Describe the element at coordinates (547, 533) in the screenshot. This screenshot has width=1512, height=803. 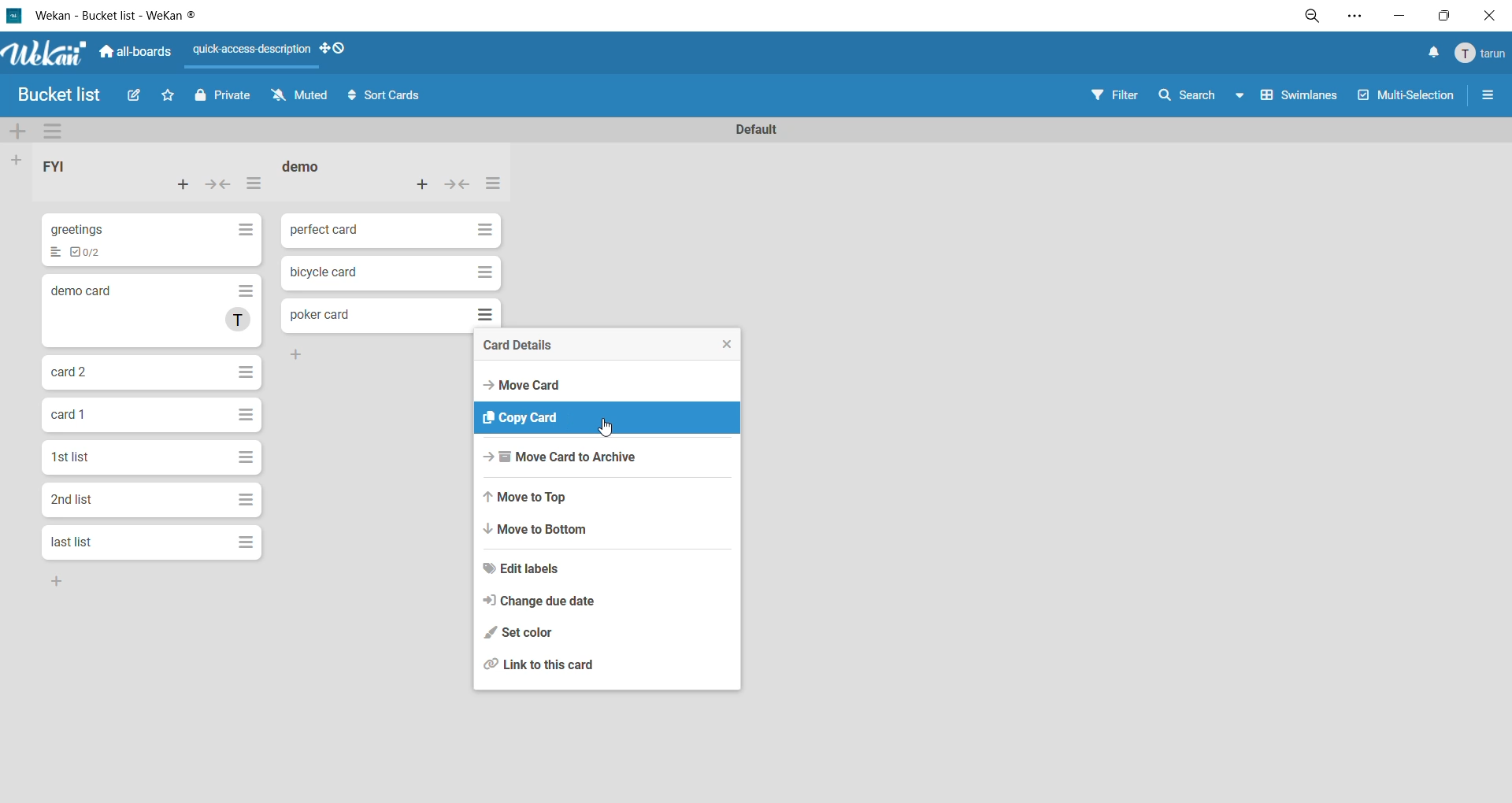
I see ` move to bottom` at that location.